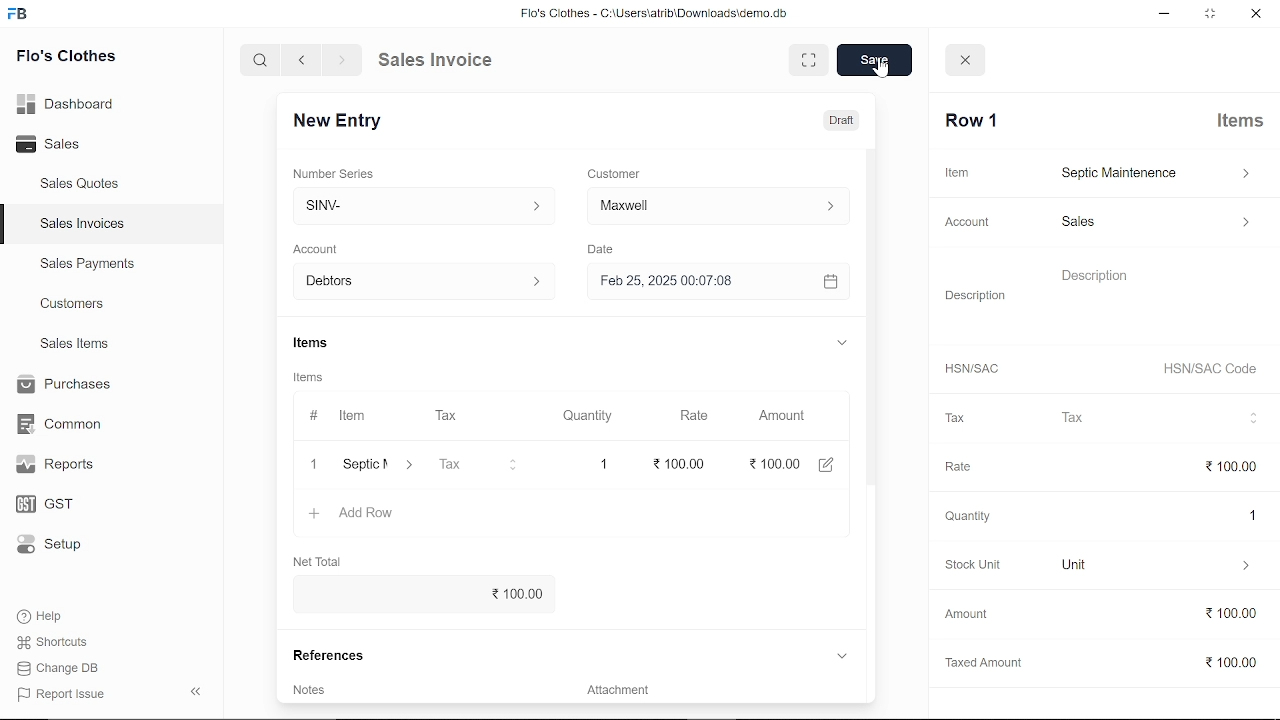 This screenshot has width=1280, height=720. Describe the element at coordinates (422, 592) in the screenshot. I see `0.00` at that location.